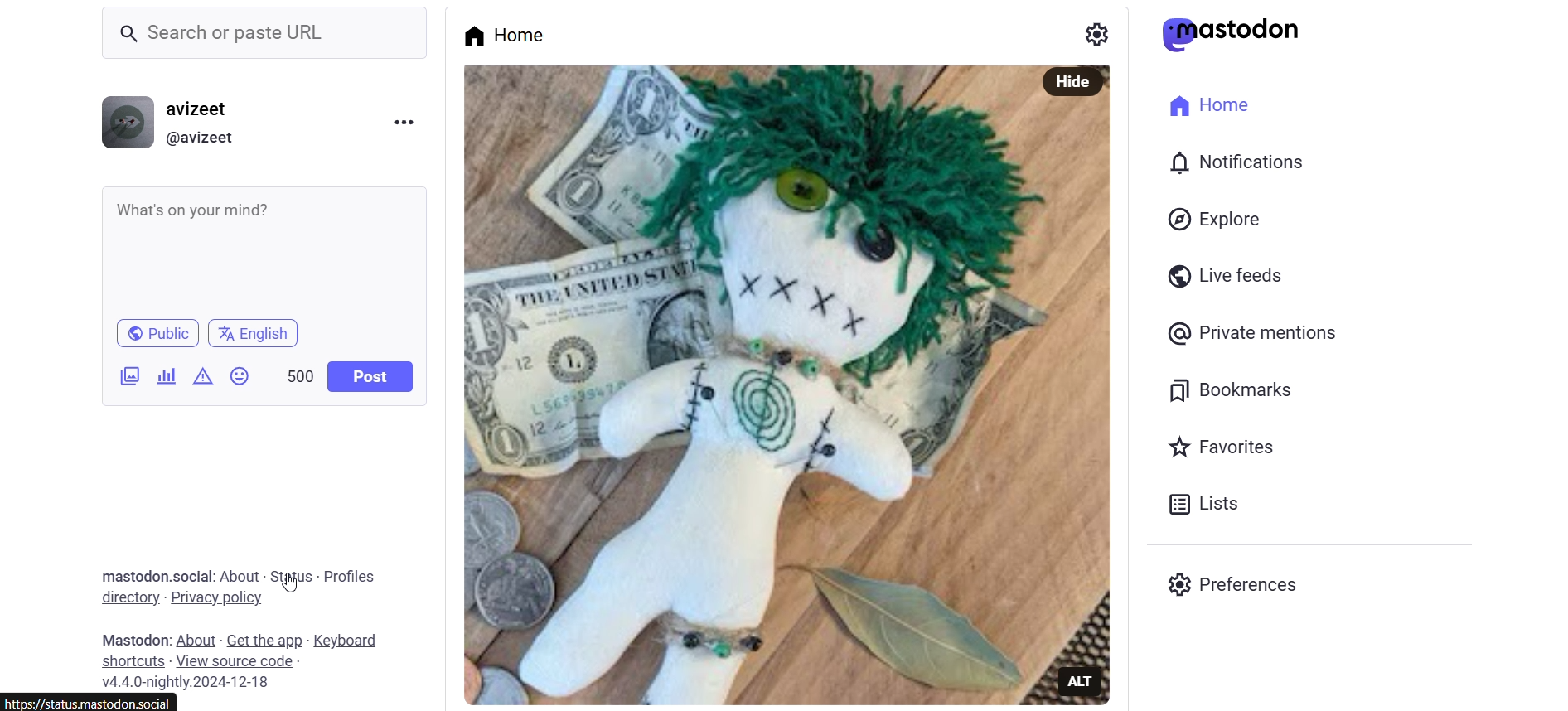  What do you see at coordinates (241, 573) in the screenshot?
I see `about` at bounding box center [241, 573].